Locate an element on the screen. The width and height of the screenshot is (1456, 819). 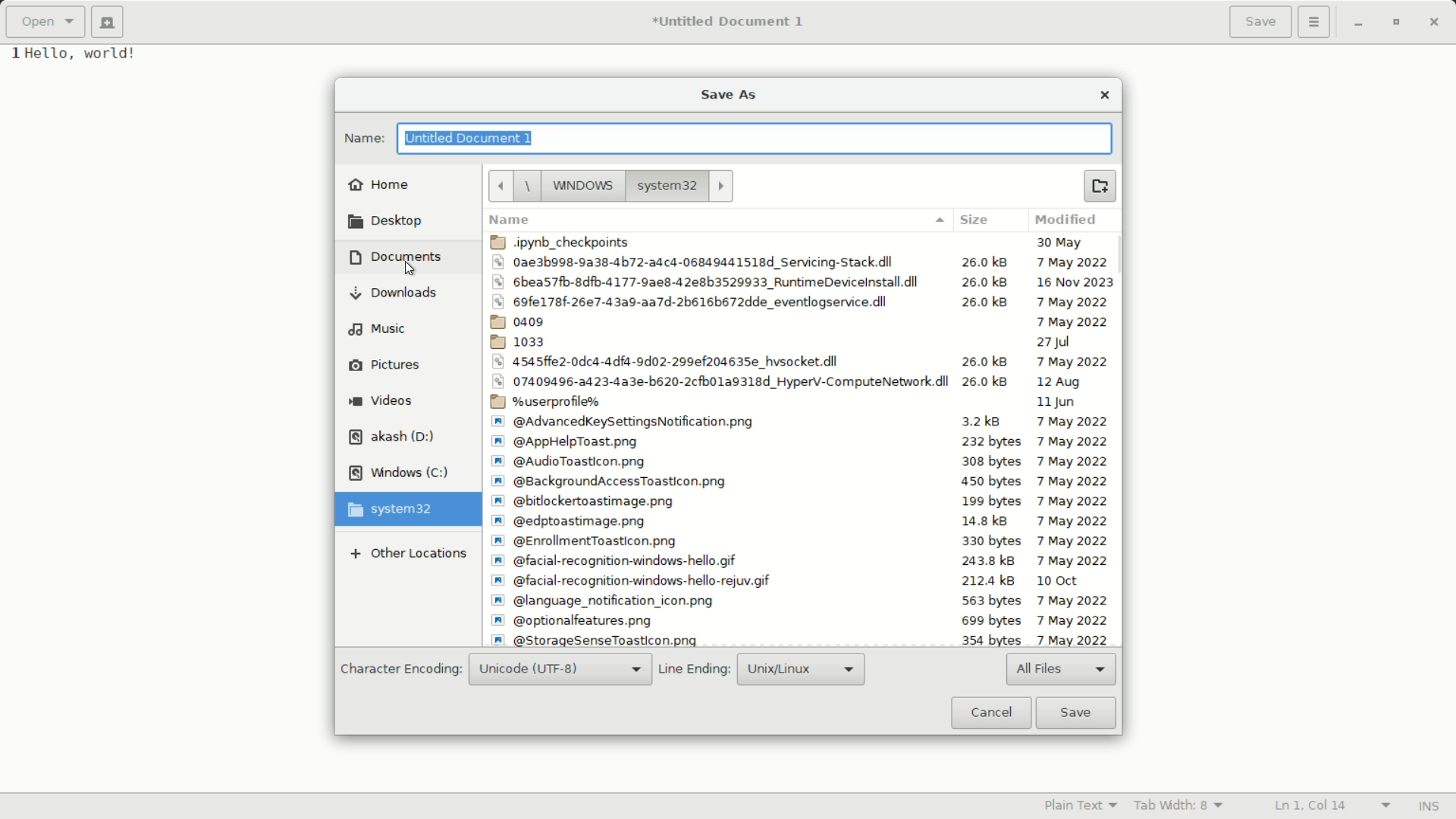
documents is located at coordinates (394, 256).